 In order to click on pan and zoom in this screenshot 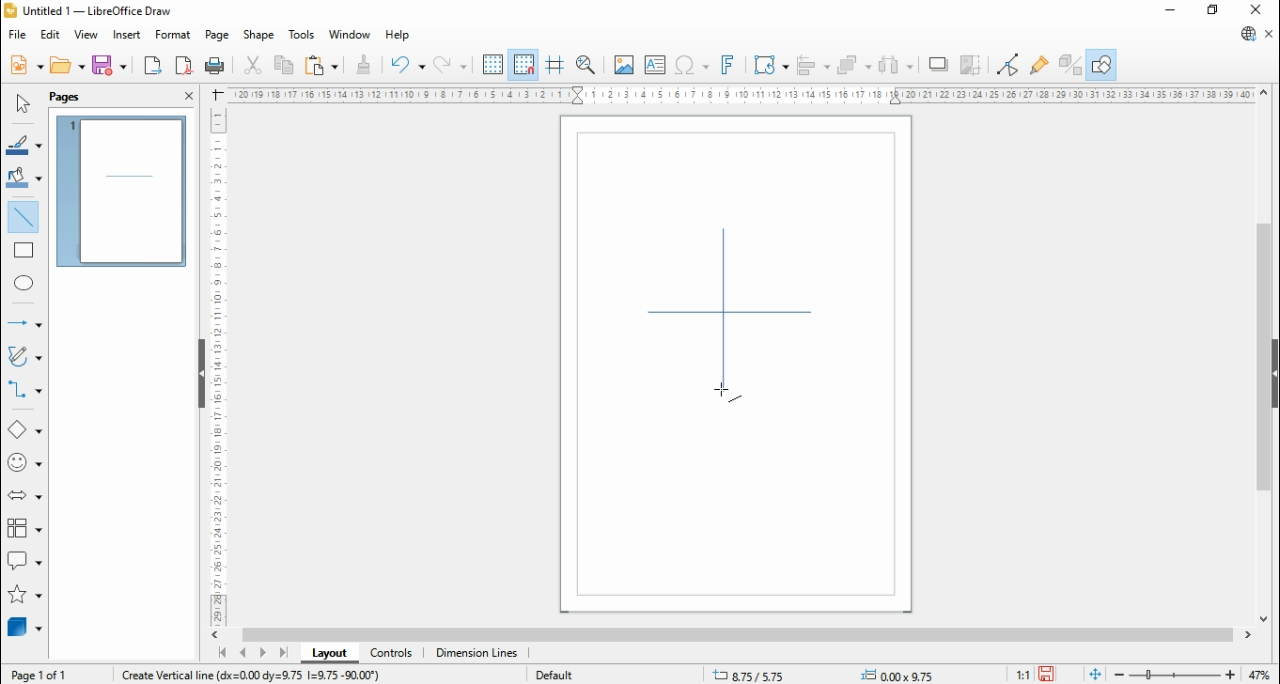, I will do `click(586, 64)`.